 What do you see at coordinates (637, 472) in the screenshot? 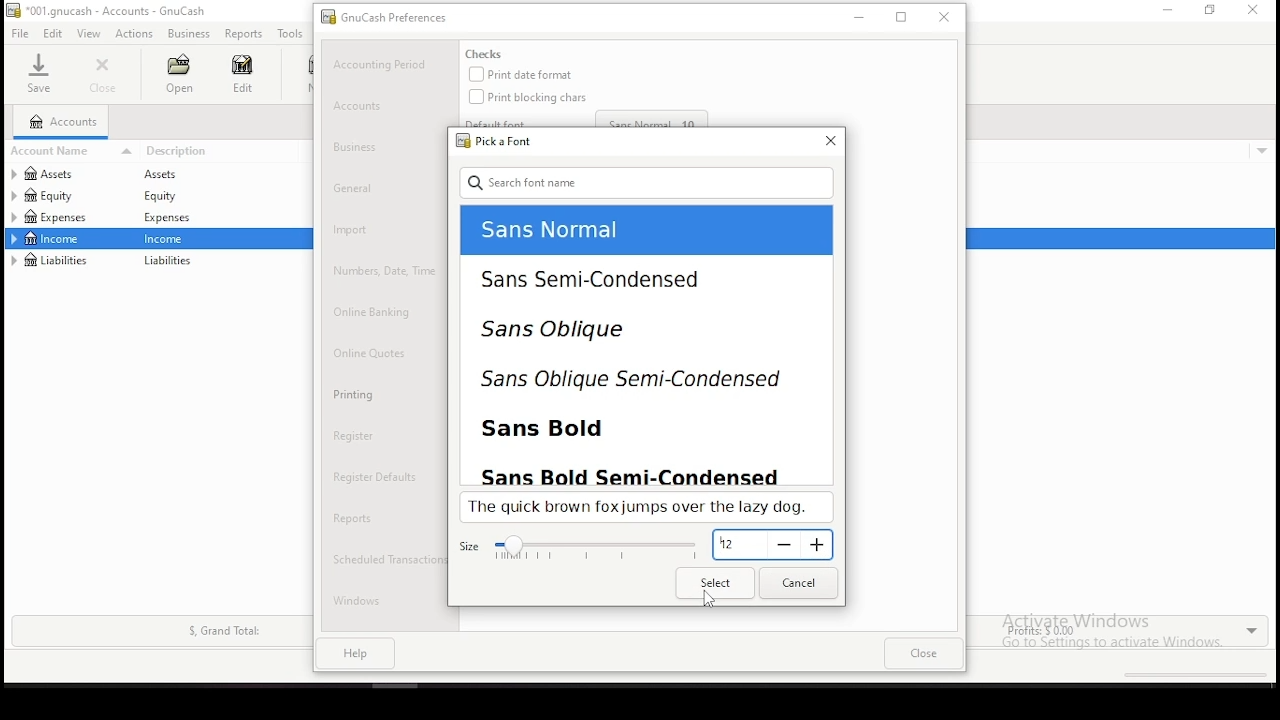
I see `sans bold semi-condensed` at bounding box center [637, 472].